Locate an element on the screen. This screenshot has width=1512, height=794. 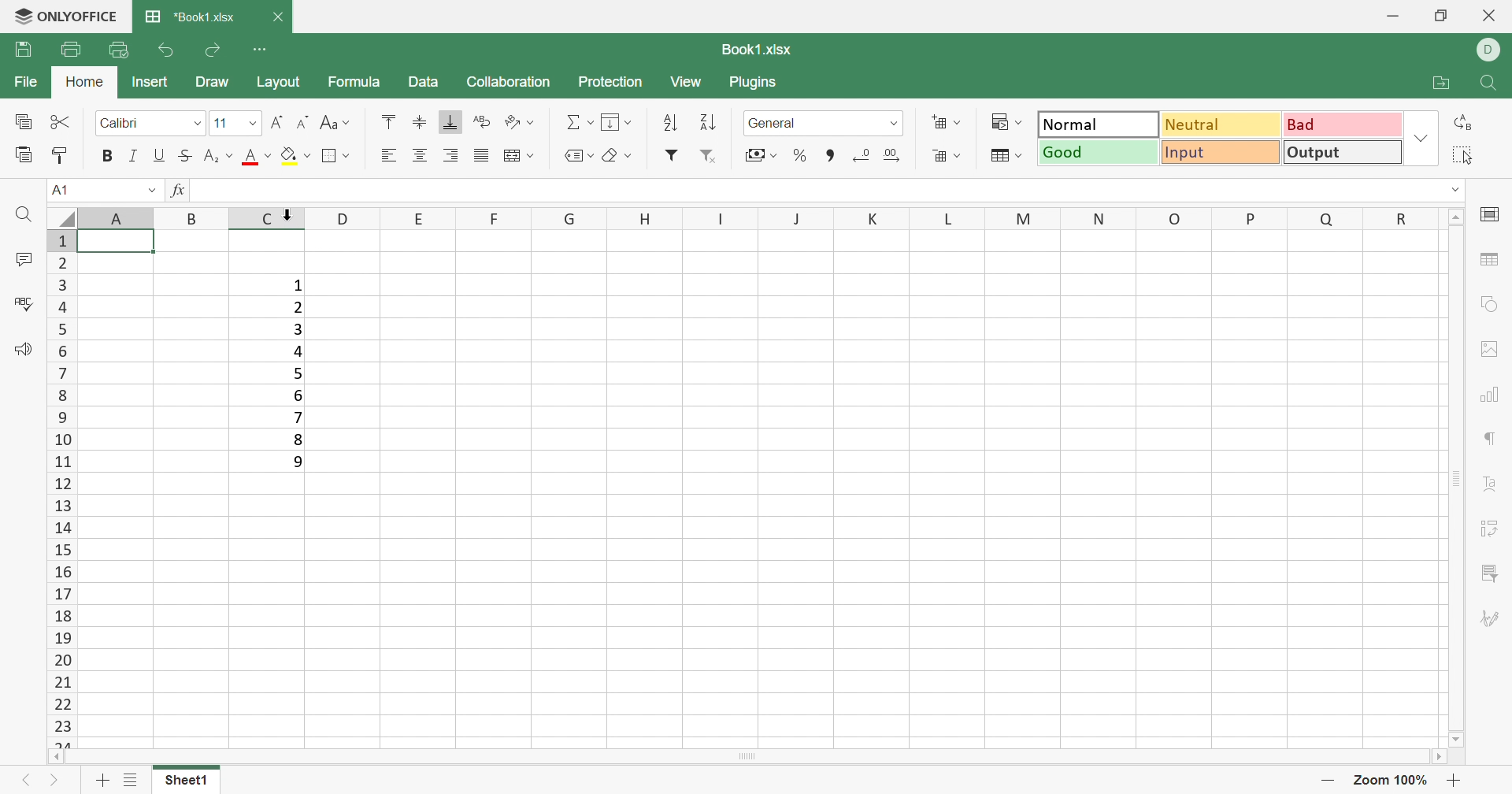
2 is located at coordinates (298, 309).